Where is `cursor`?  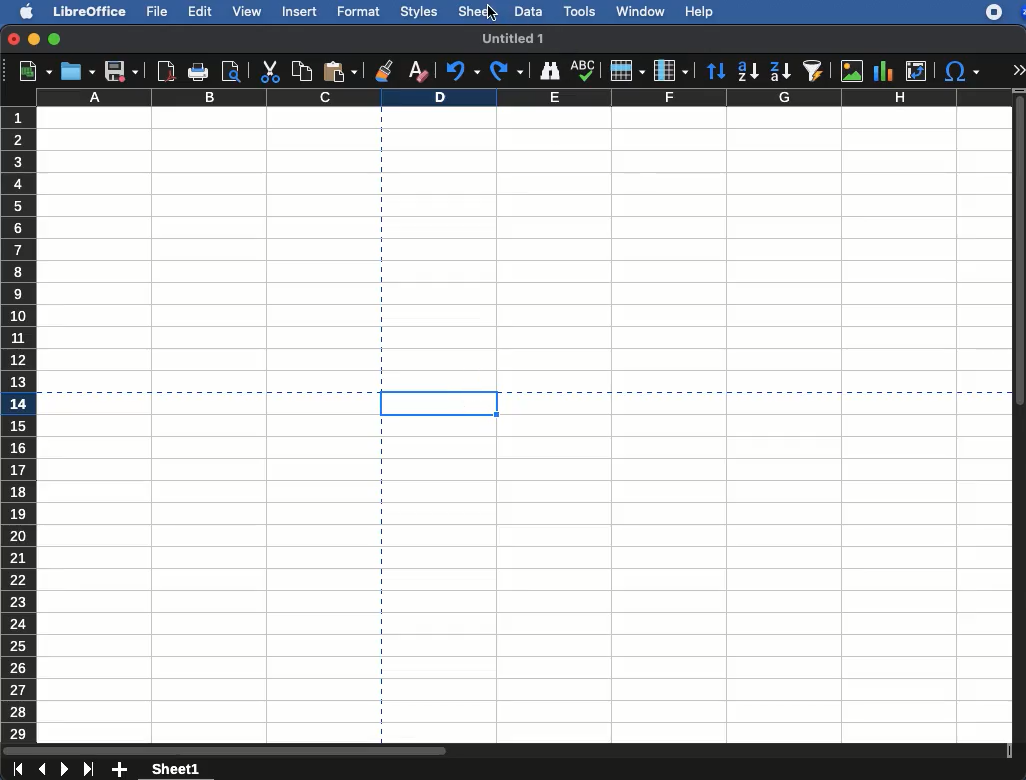
cursor is located at coordinates (491, 14).